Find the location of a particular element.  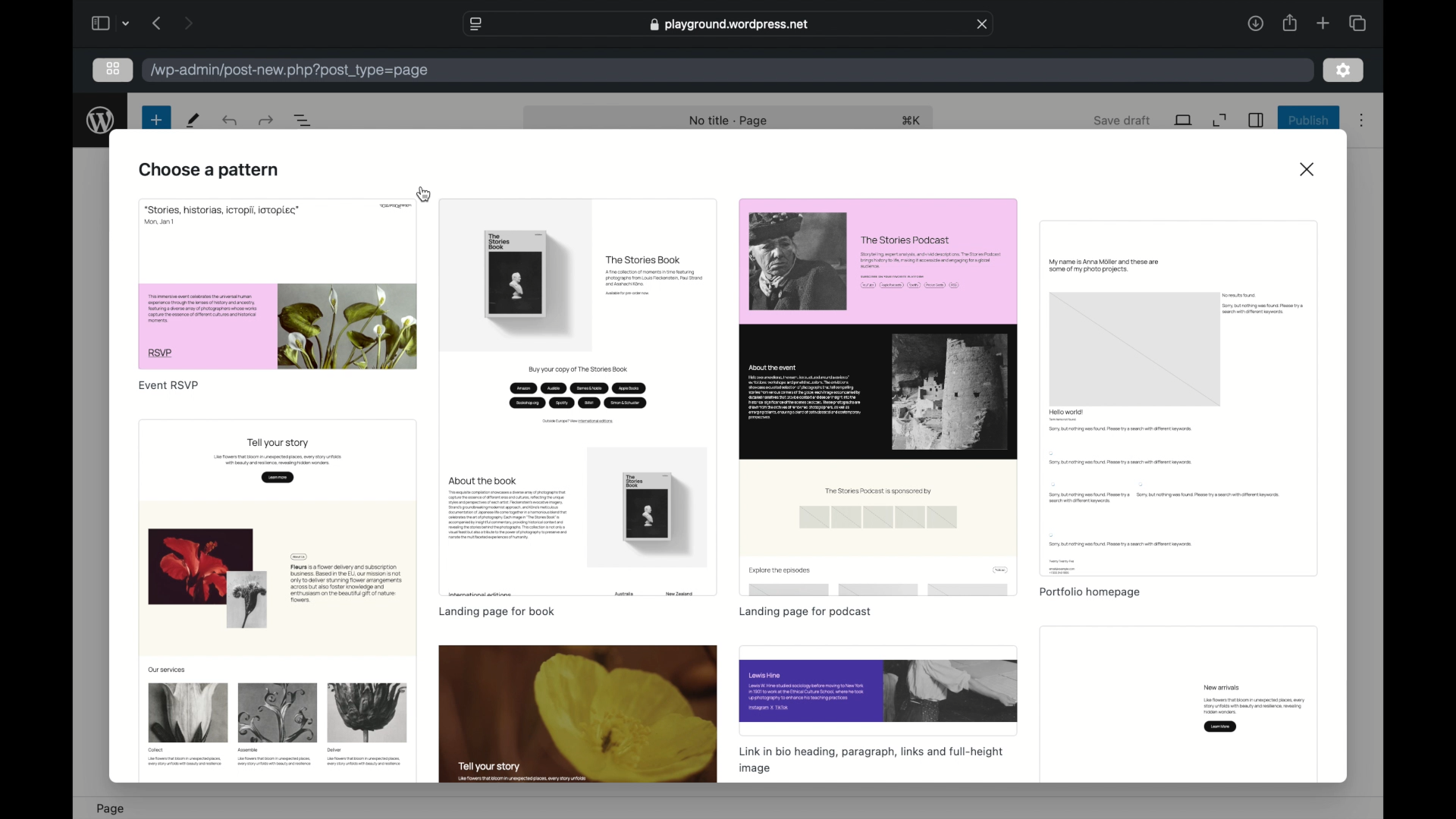

downloads is located at coordinates (1255, 23).